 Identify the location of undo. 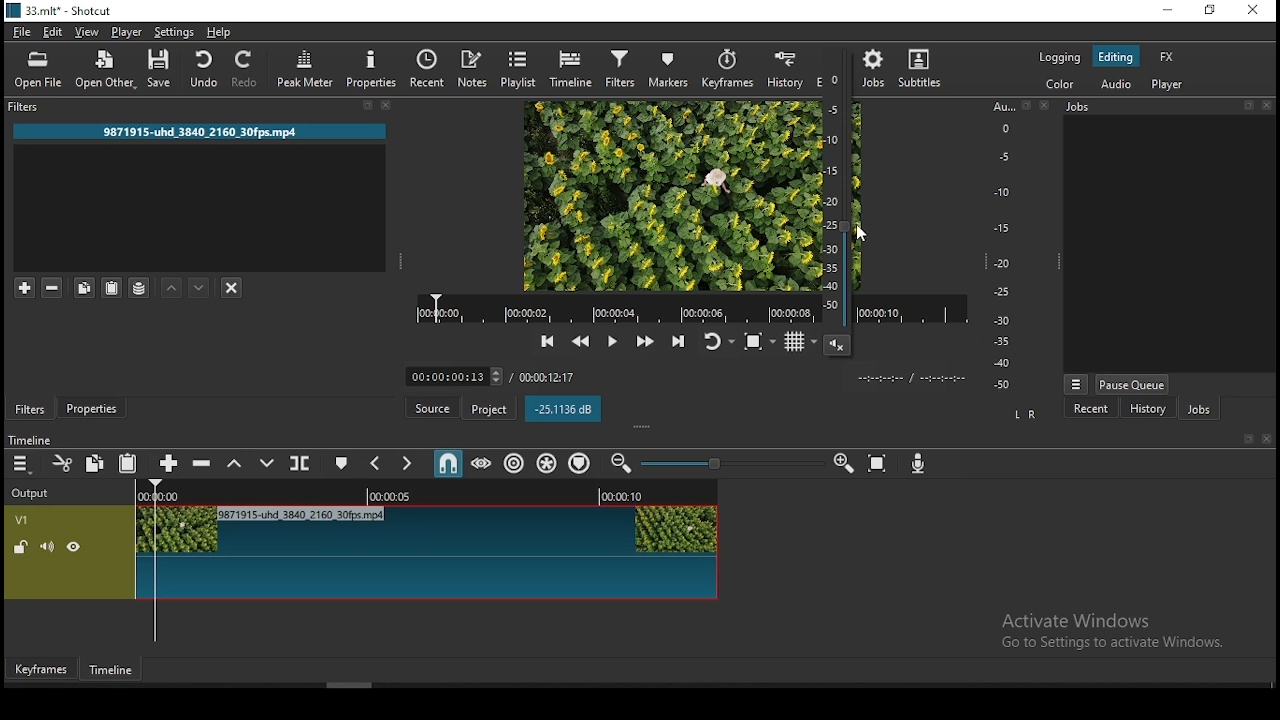
(207, 68).